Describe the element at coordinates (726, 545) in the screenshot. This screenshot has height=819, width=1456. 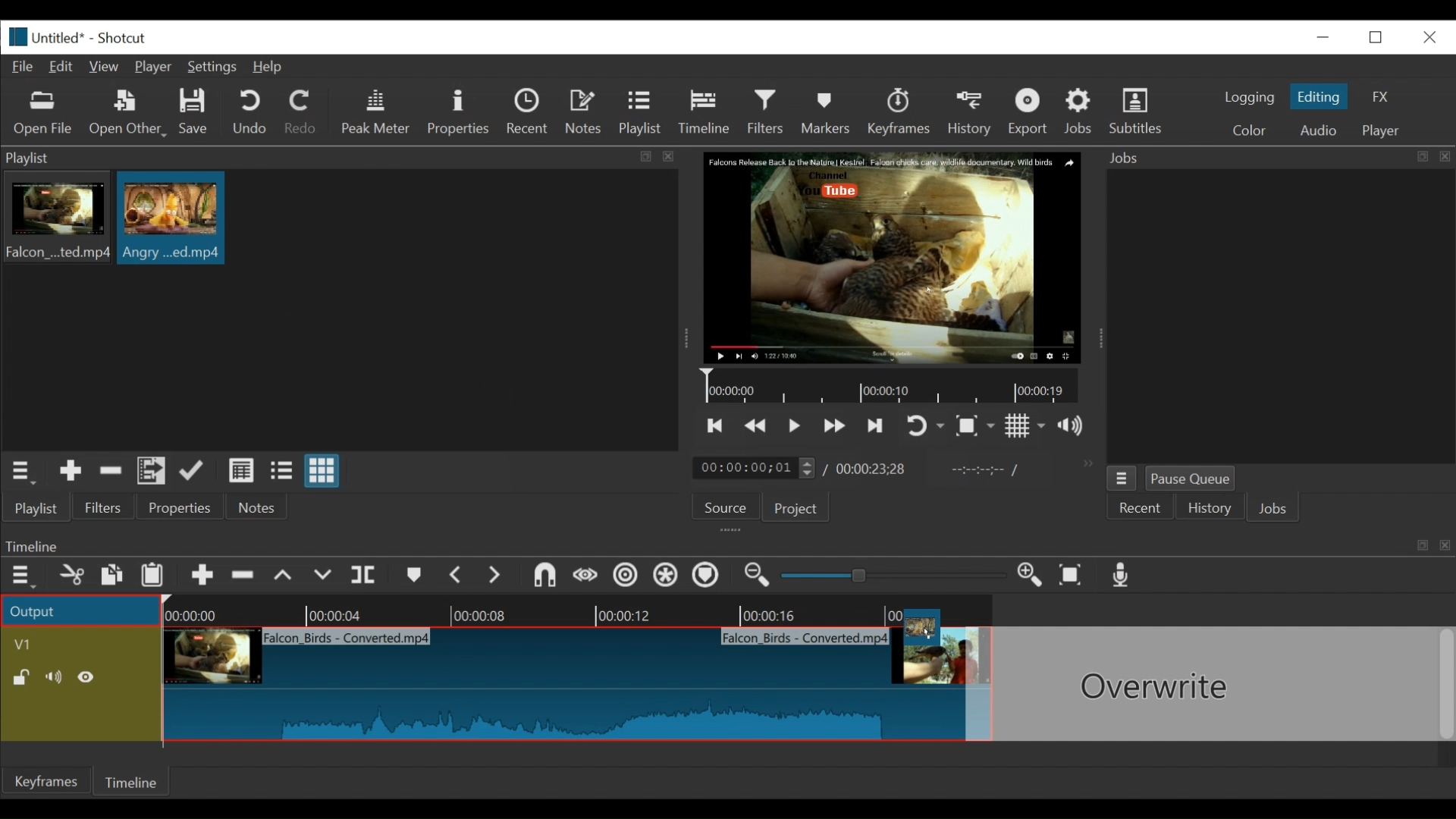
I see `Timeline Panel` at that location.